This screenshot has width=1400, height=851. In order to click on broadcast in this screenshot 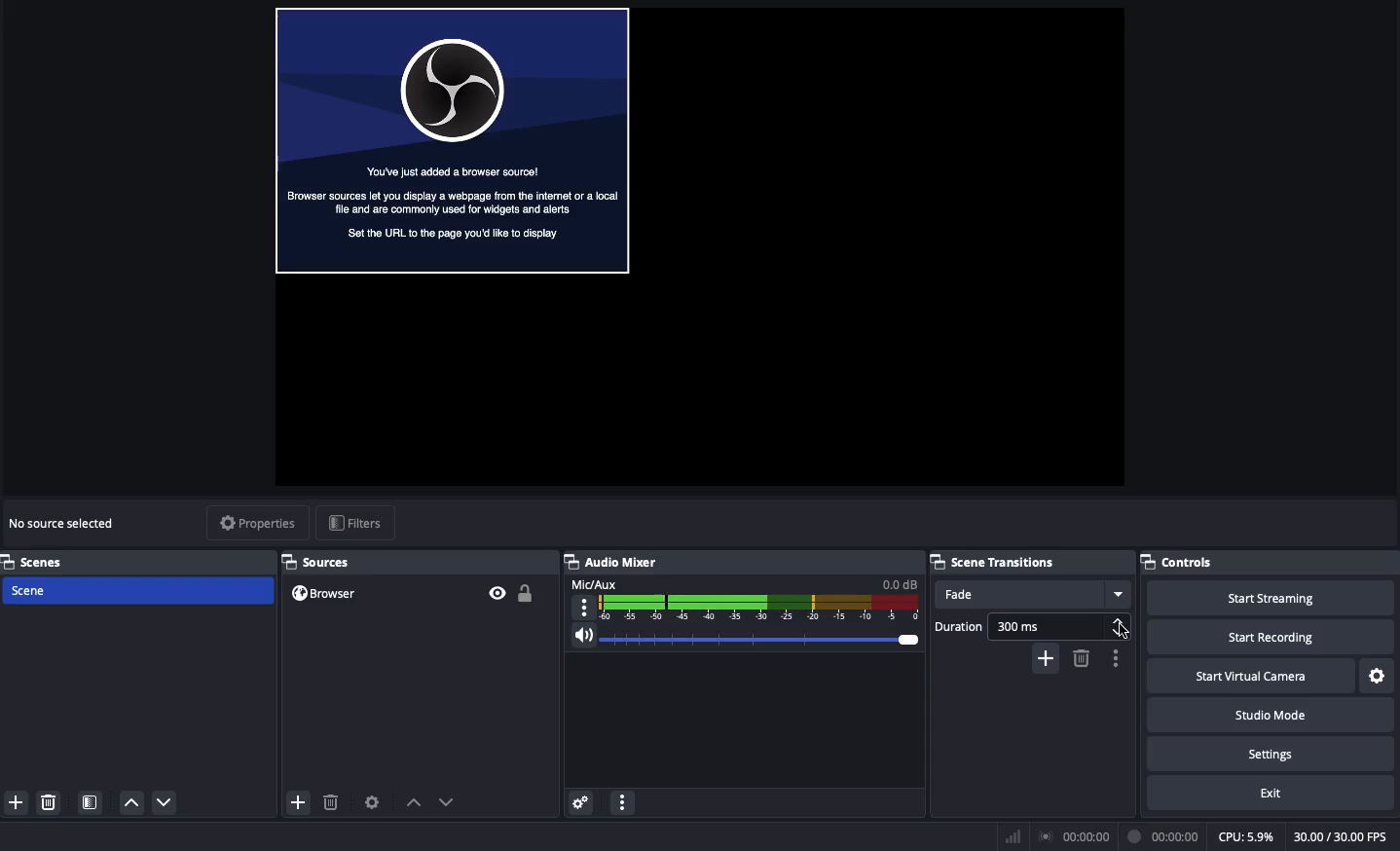, I will do `click(1075, 833)`.